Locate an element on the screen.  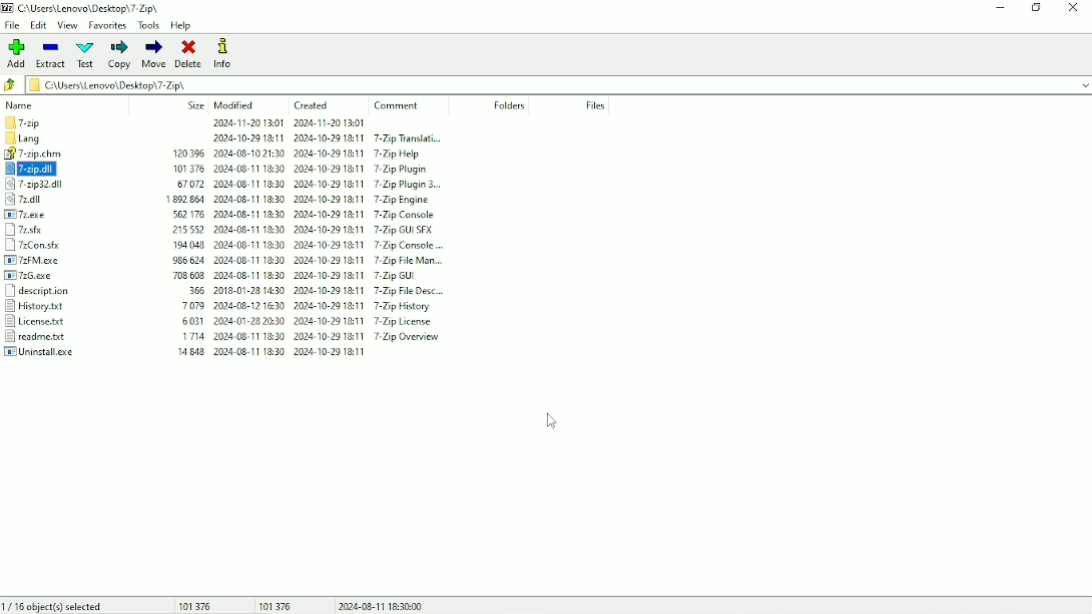
MEE GT ew sewaen is located at coordinates (291, 354).